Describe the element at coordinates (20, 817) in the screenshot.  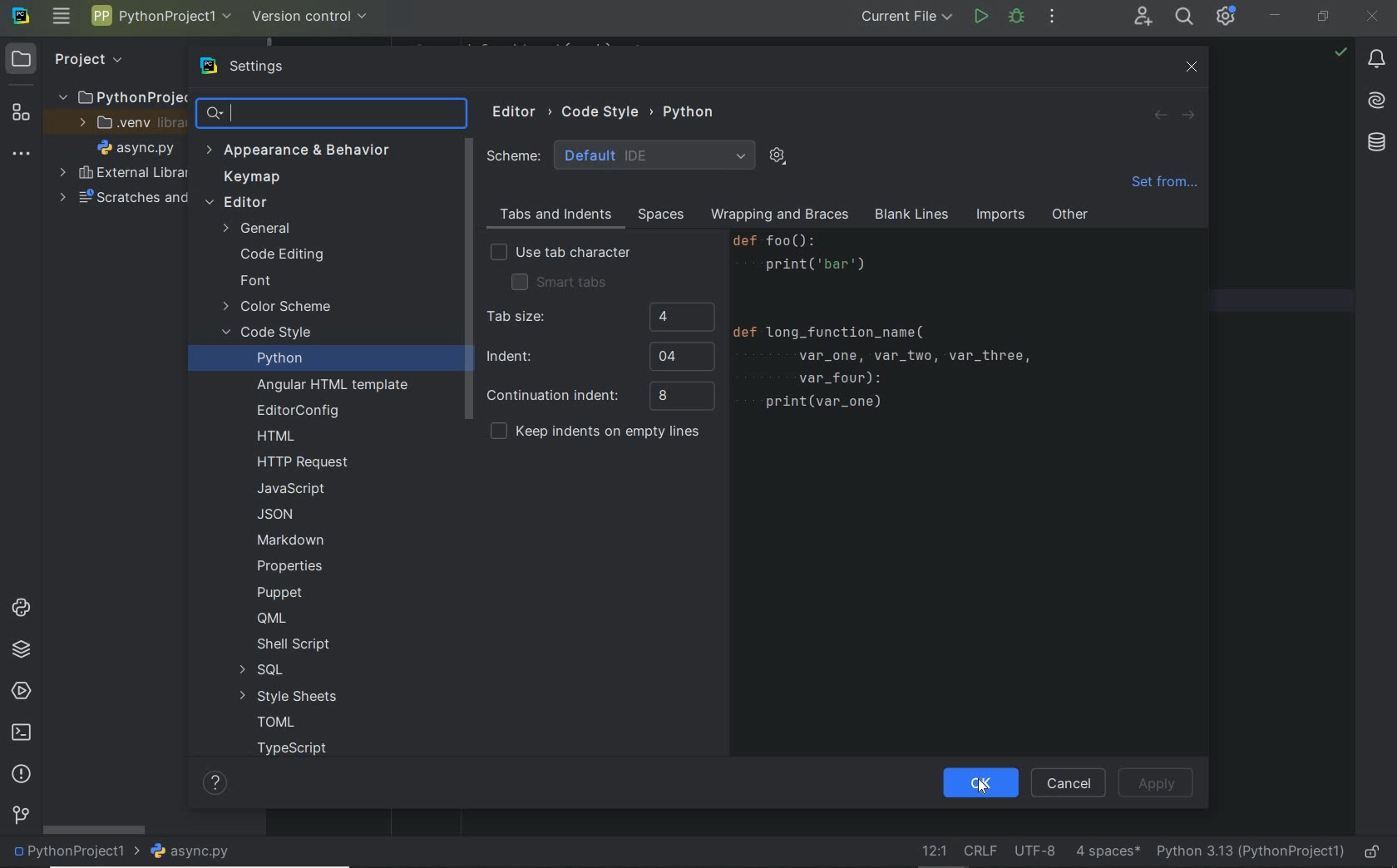
I see `version control` at that location.